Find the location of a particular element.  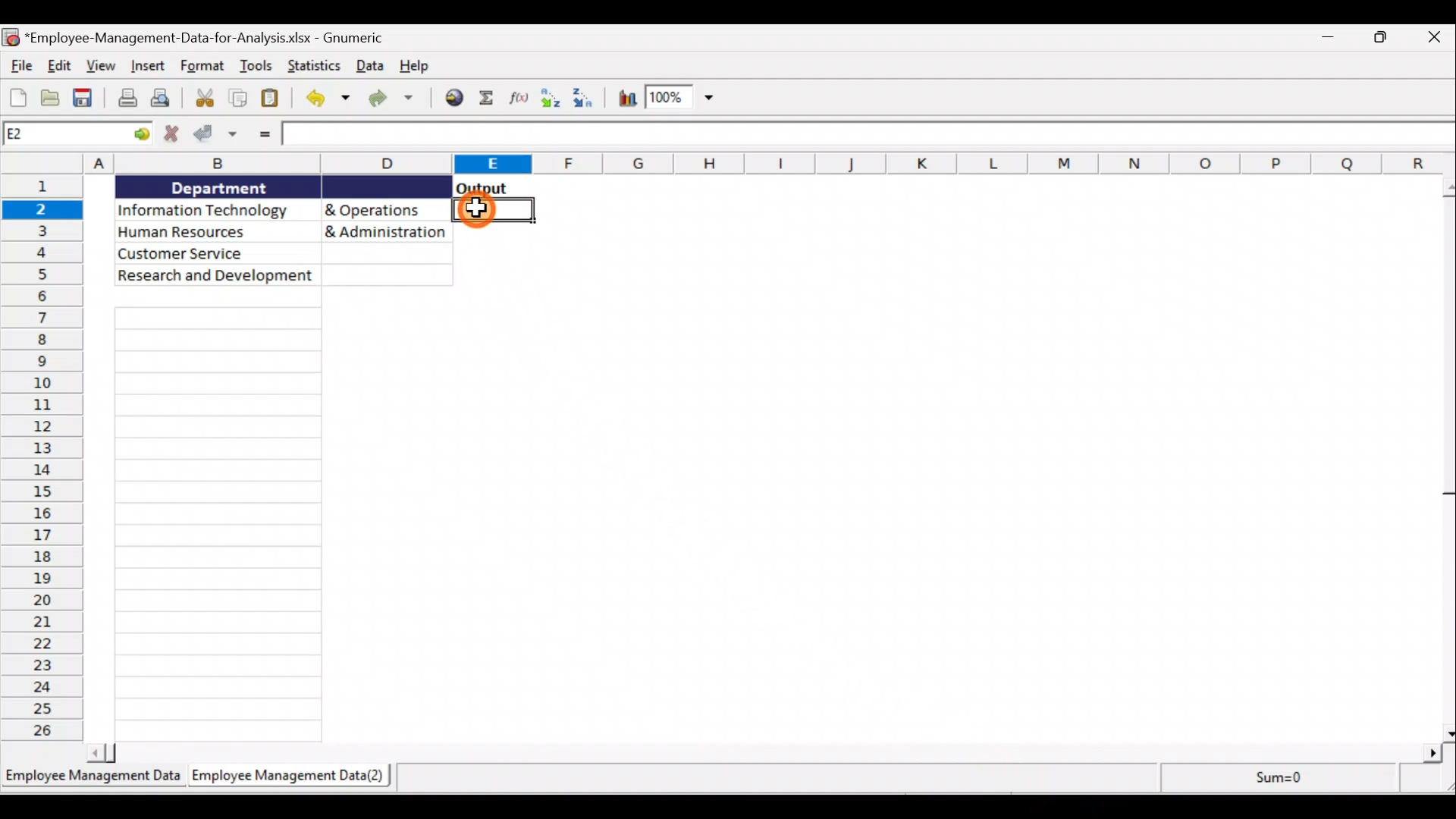

Zoom is located at coordinates (680, 99).